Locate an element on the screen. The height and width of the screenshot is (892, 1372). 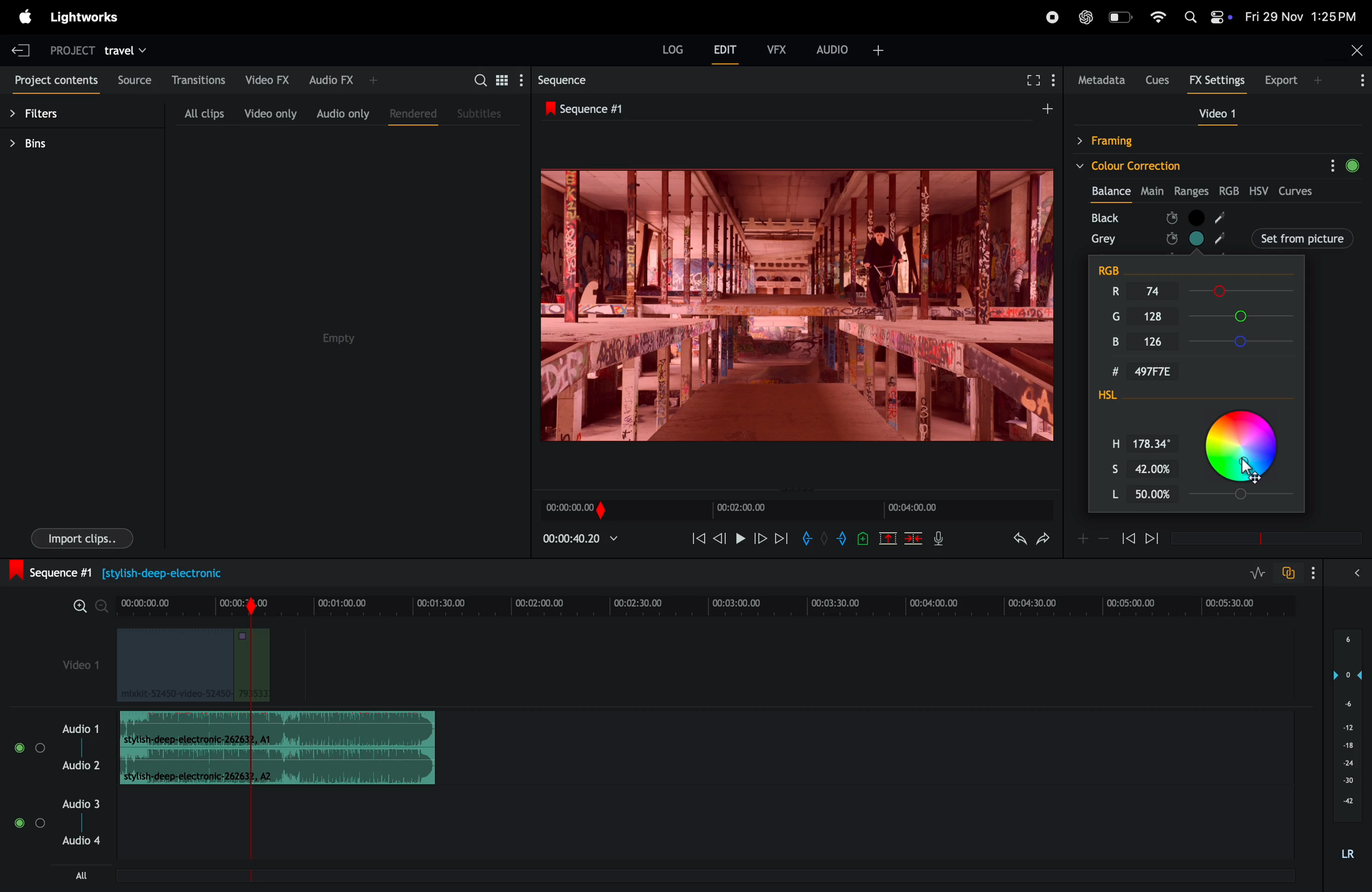
toggle is located at coordinates (18, 823).